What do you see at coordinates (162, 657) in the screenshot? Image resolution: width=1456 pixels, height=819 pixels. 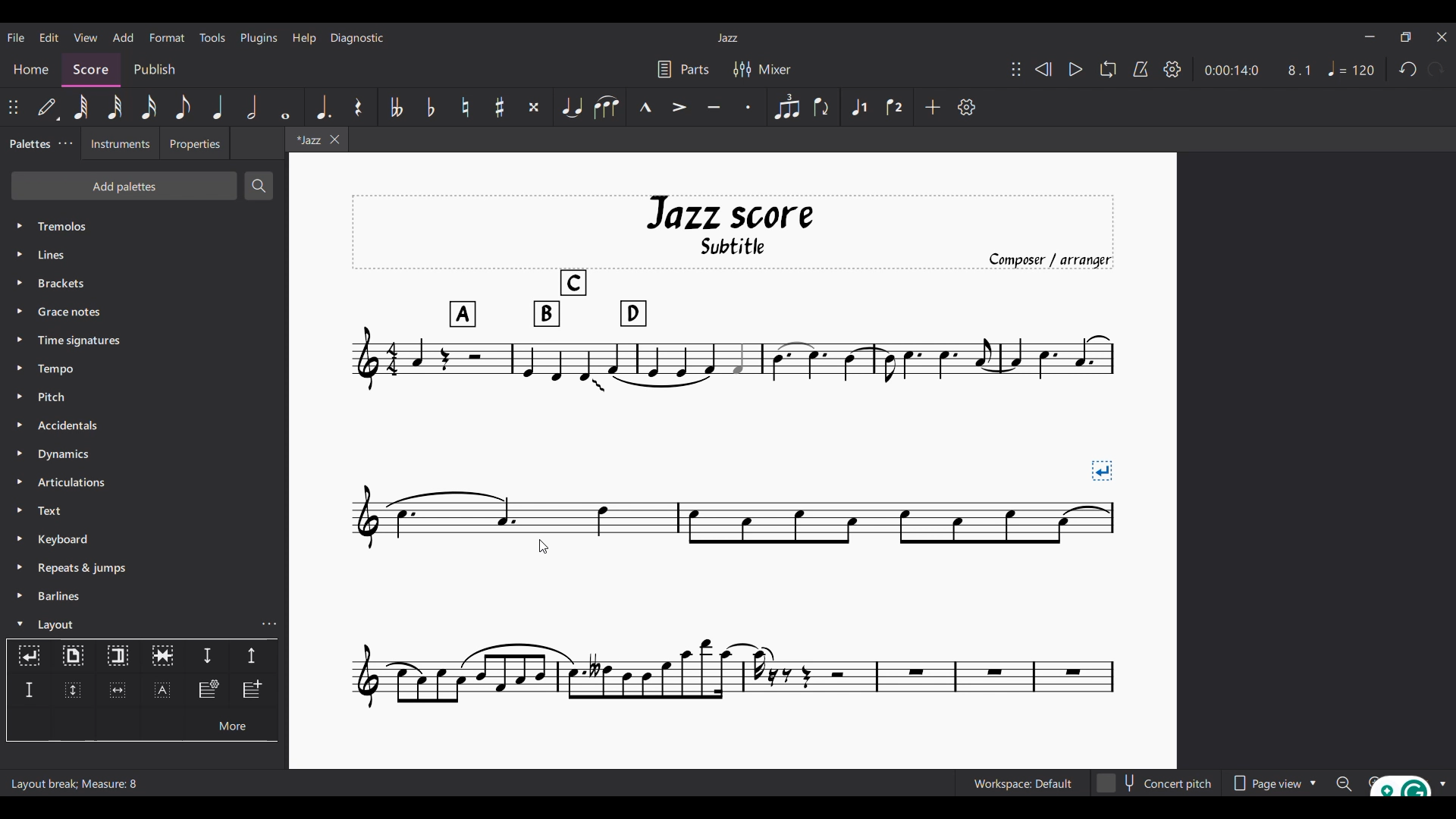 I see `Keep measures on the same system` at bounding box center [162, 657].